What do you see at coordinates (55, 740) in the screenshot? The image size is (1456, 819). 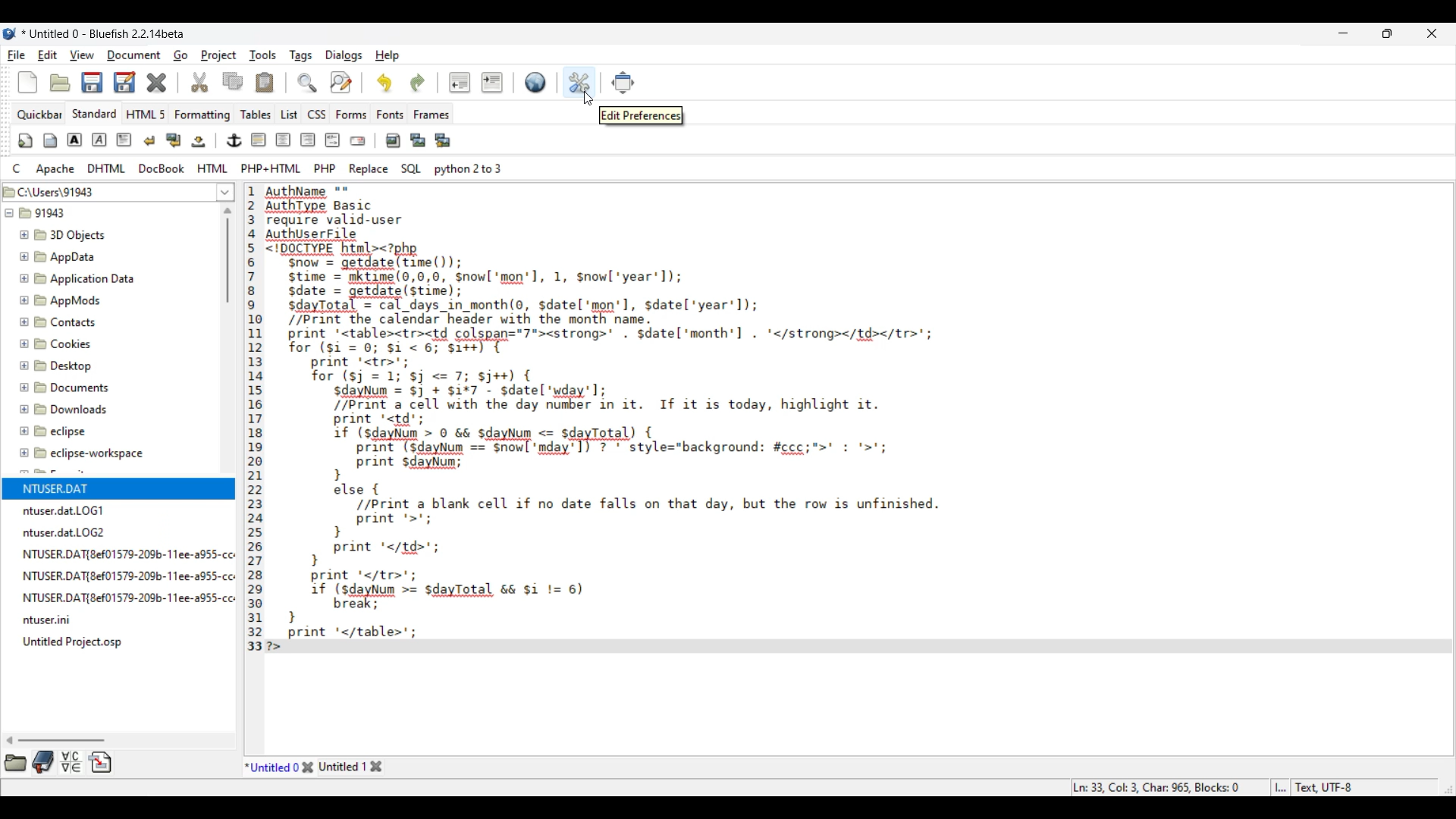 I see `Horizontal slide bar` at bounding box center [55, 740].